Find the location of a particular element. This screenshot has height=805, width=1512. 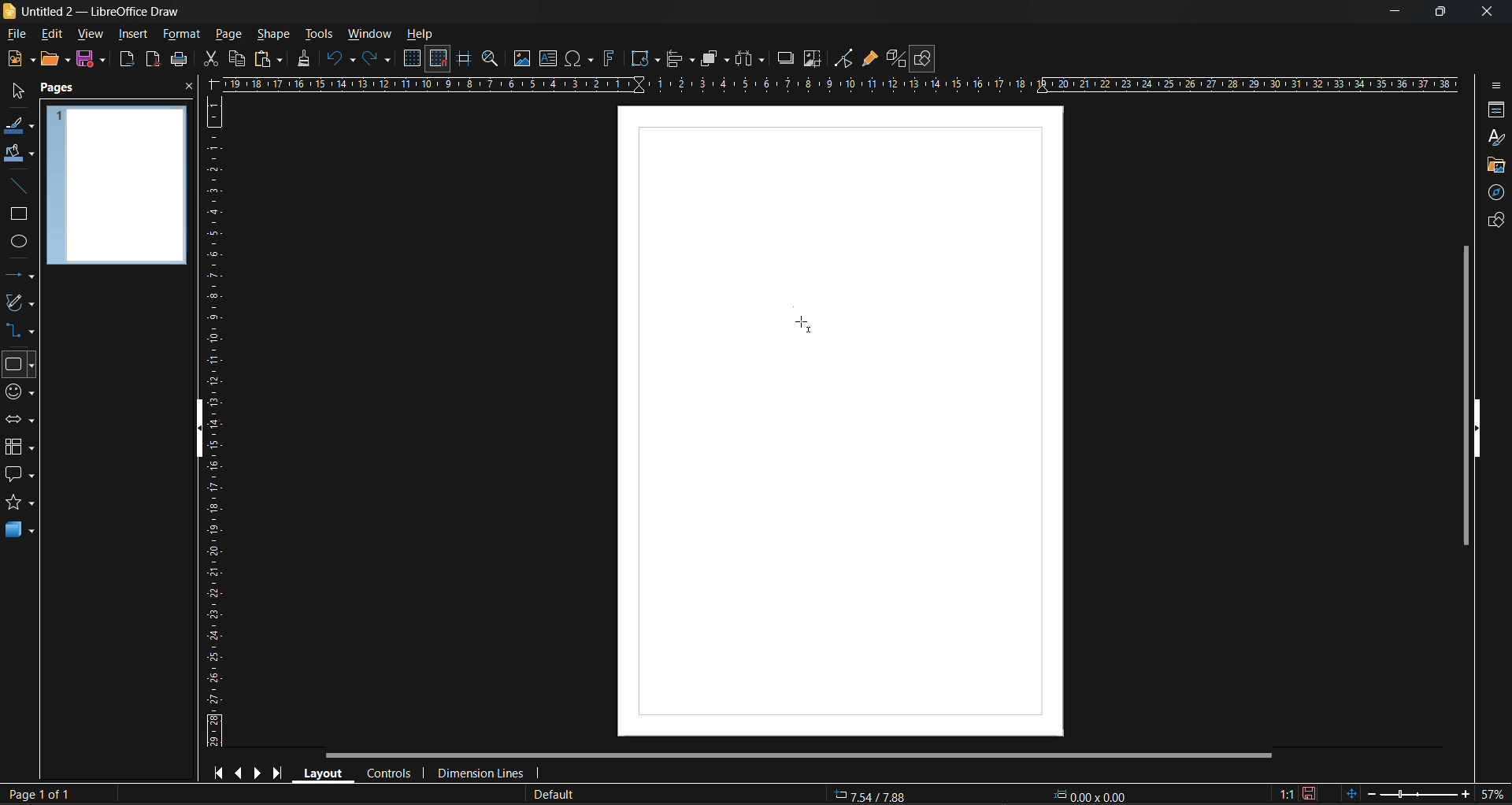

controls is located at coordinates (387, 775).